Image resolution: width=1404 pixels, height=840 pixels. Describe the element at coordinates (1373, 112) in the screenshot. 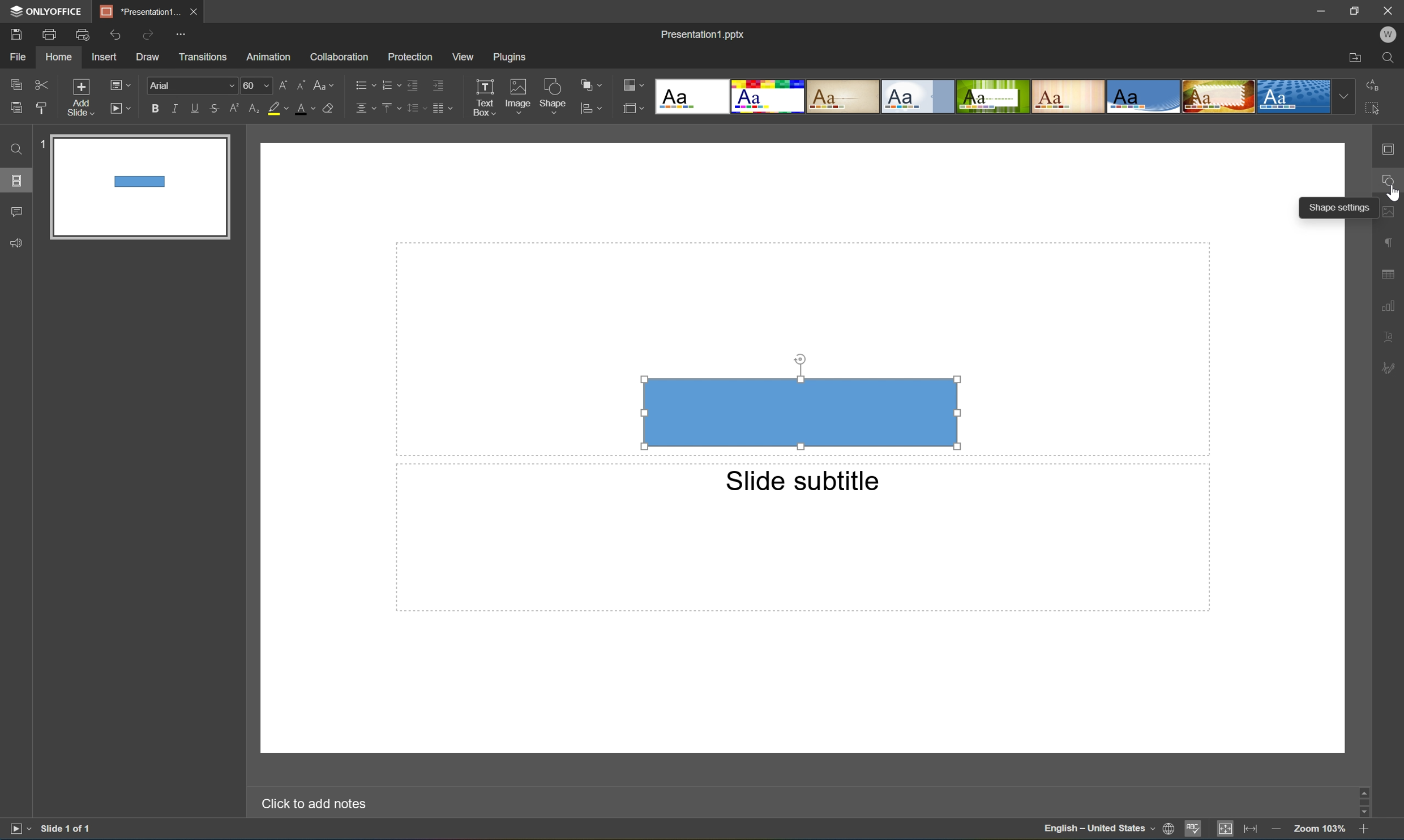

I see `Select all` at that location.